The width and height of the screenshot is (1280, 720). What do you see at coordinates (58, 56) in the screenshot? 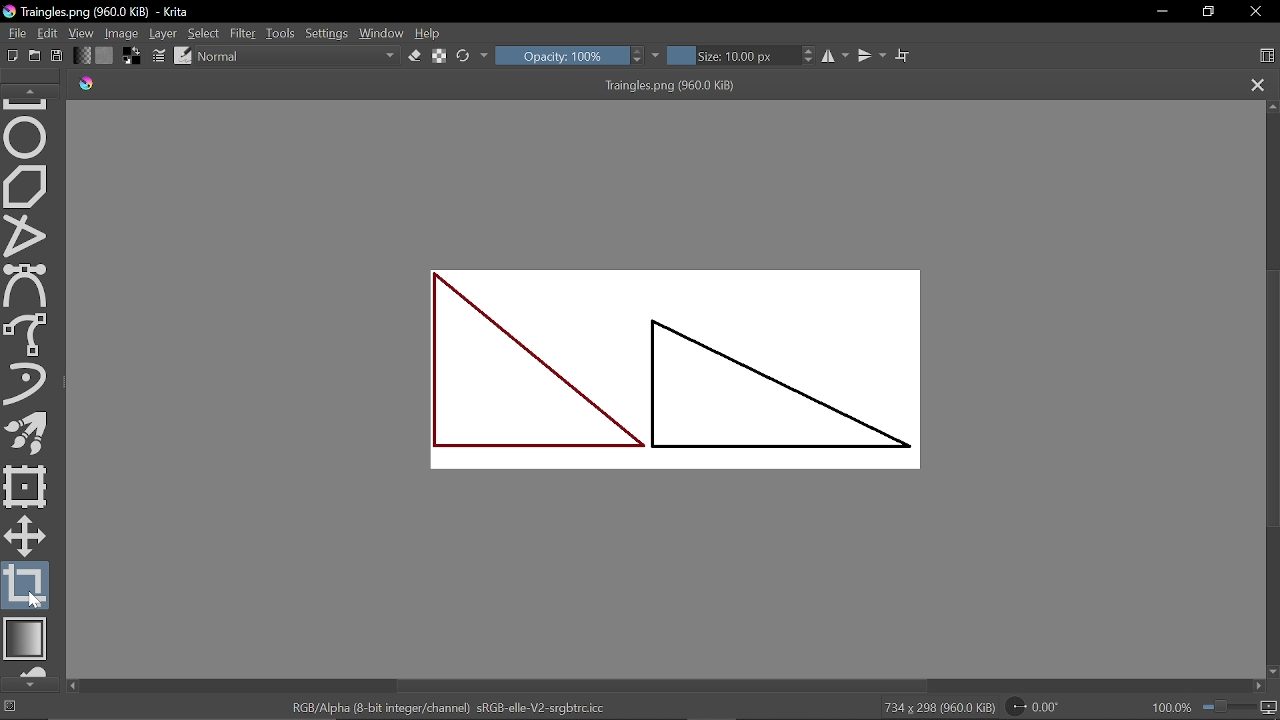
I see `Save` at bounding box center [58, 56].